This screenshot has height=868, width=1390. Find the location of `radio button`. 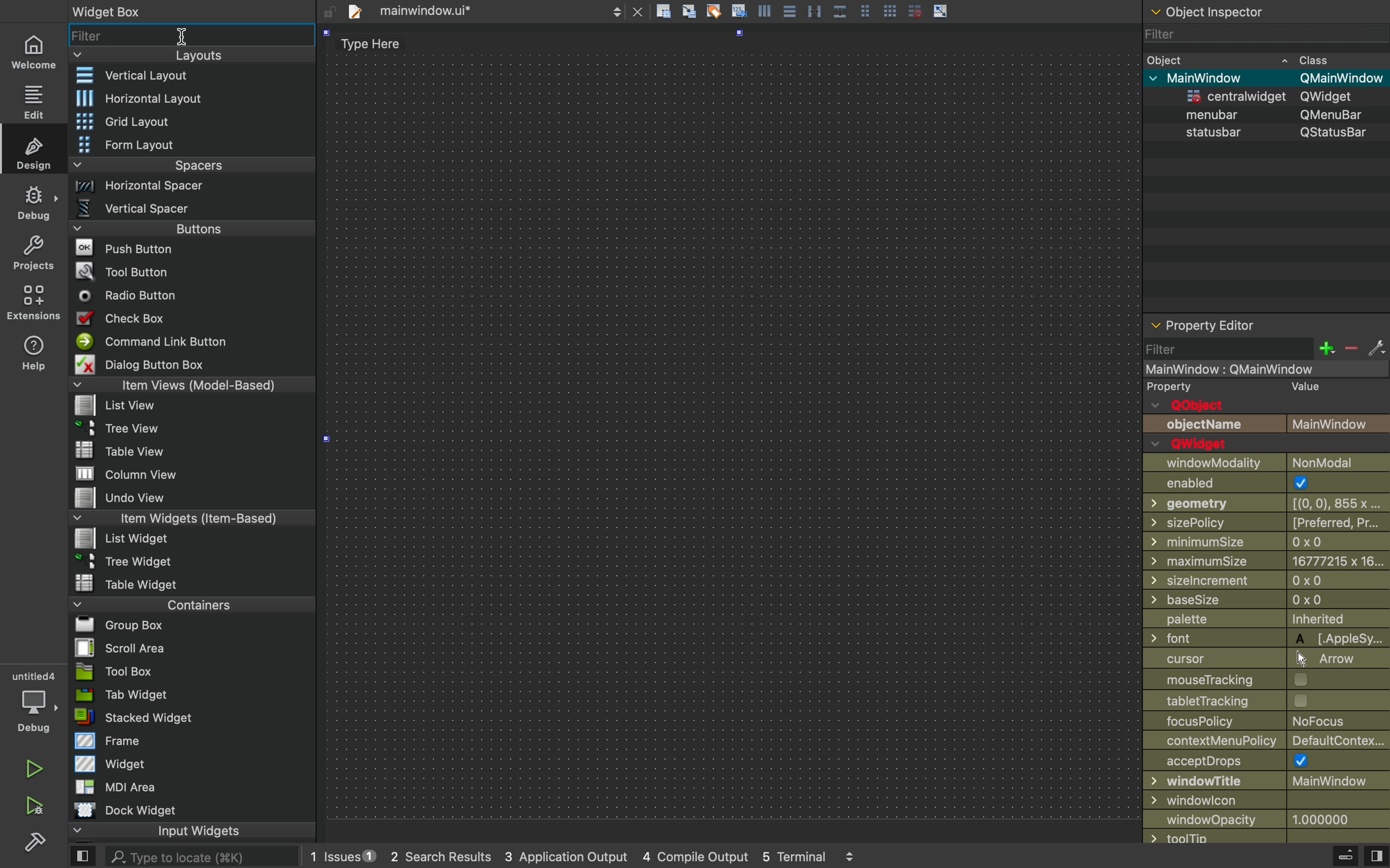

radio button is located at coordinates (192, 294).